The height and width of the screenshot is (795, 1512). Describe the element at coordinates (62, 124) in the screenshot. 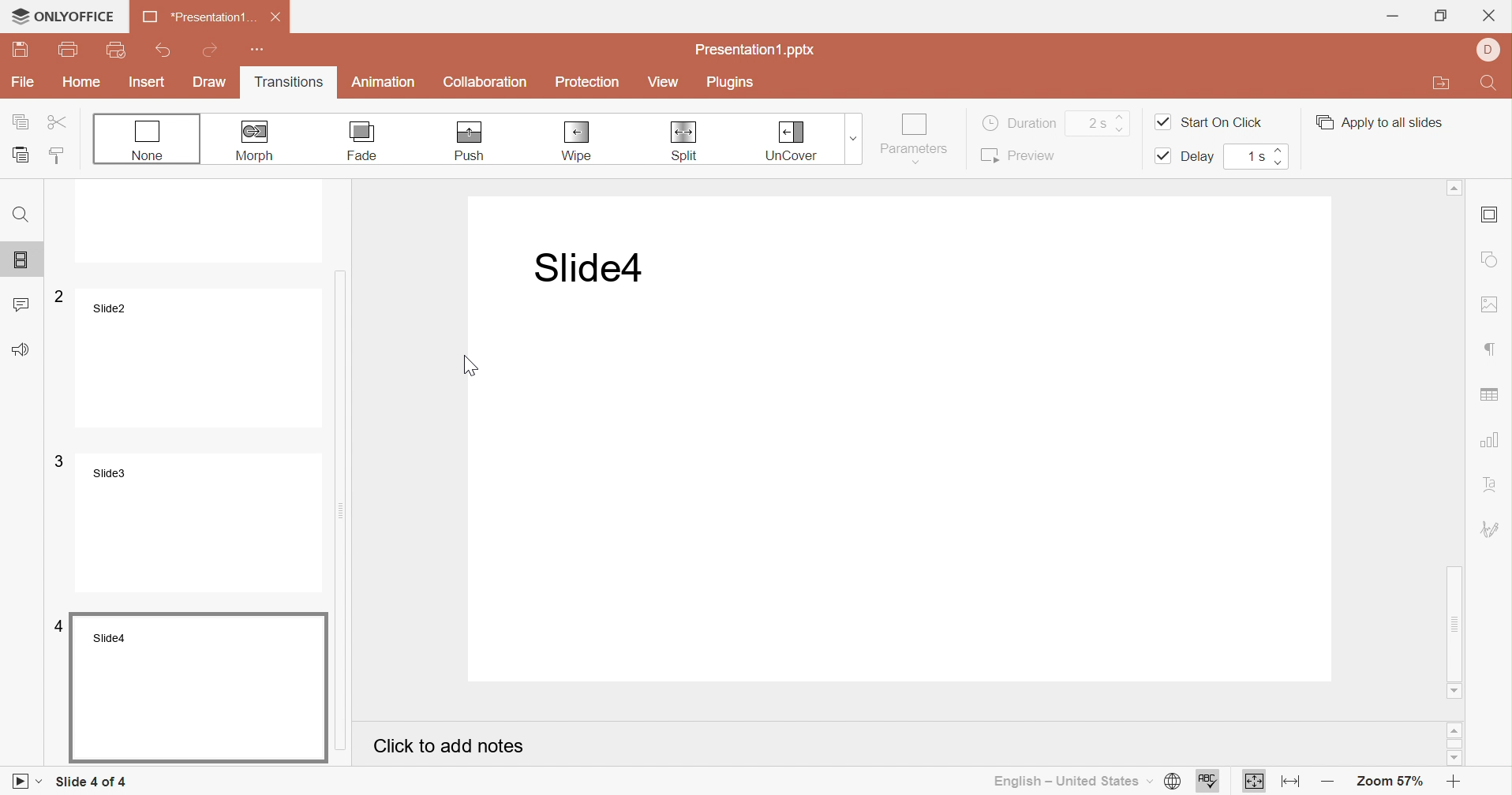

I see `Cut` at that location.